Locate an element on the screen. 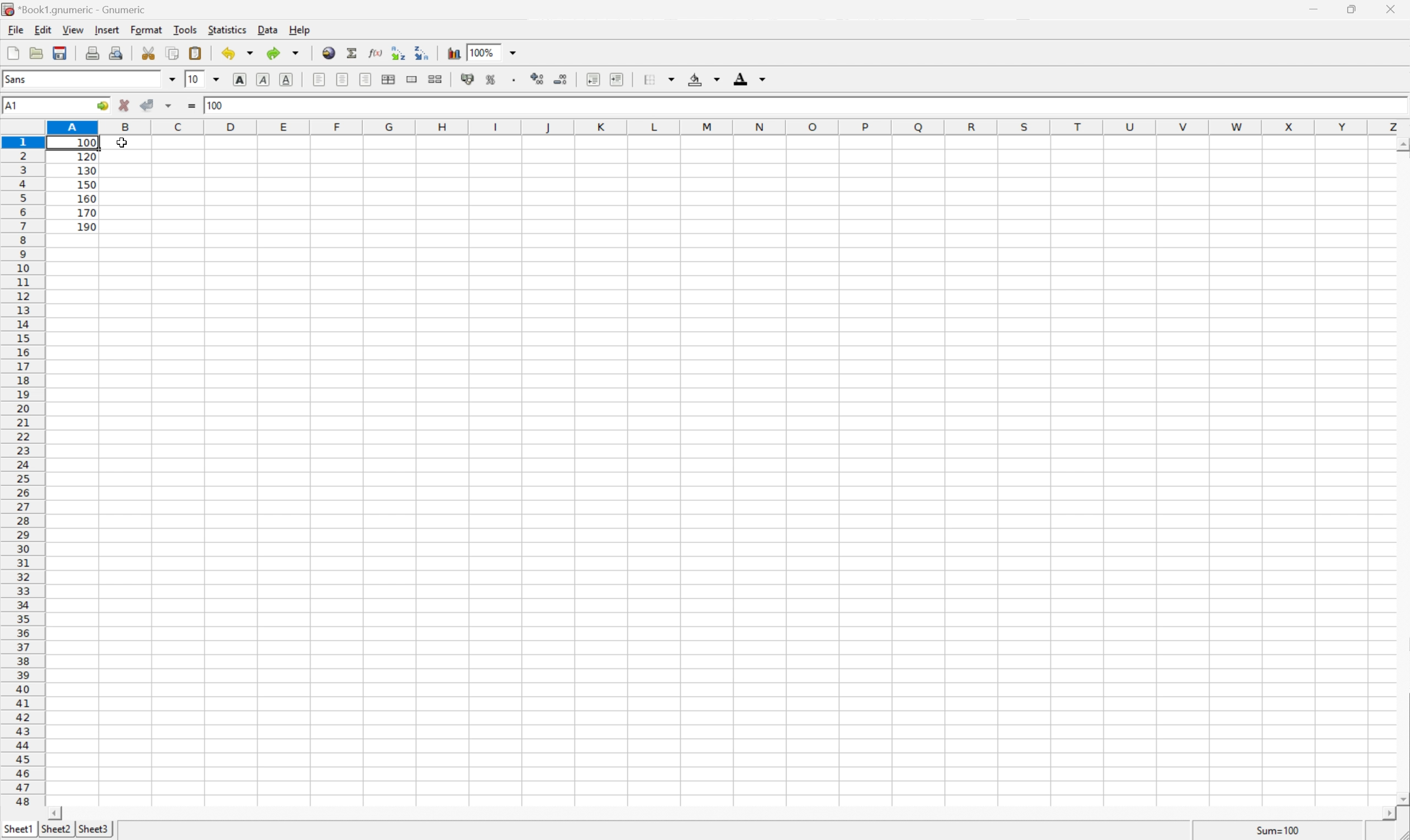 This screenshot has height=840, width=1410. Close is located at coordinates (1390, 11).